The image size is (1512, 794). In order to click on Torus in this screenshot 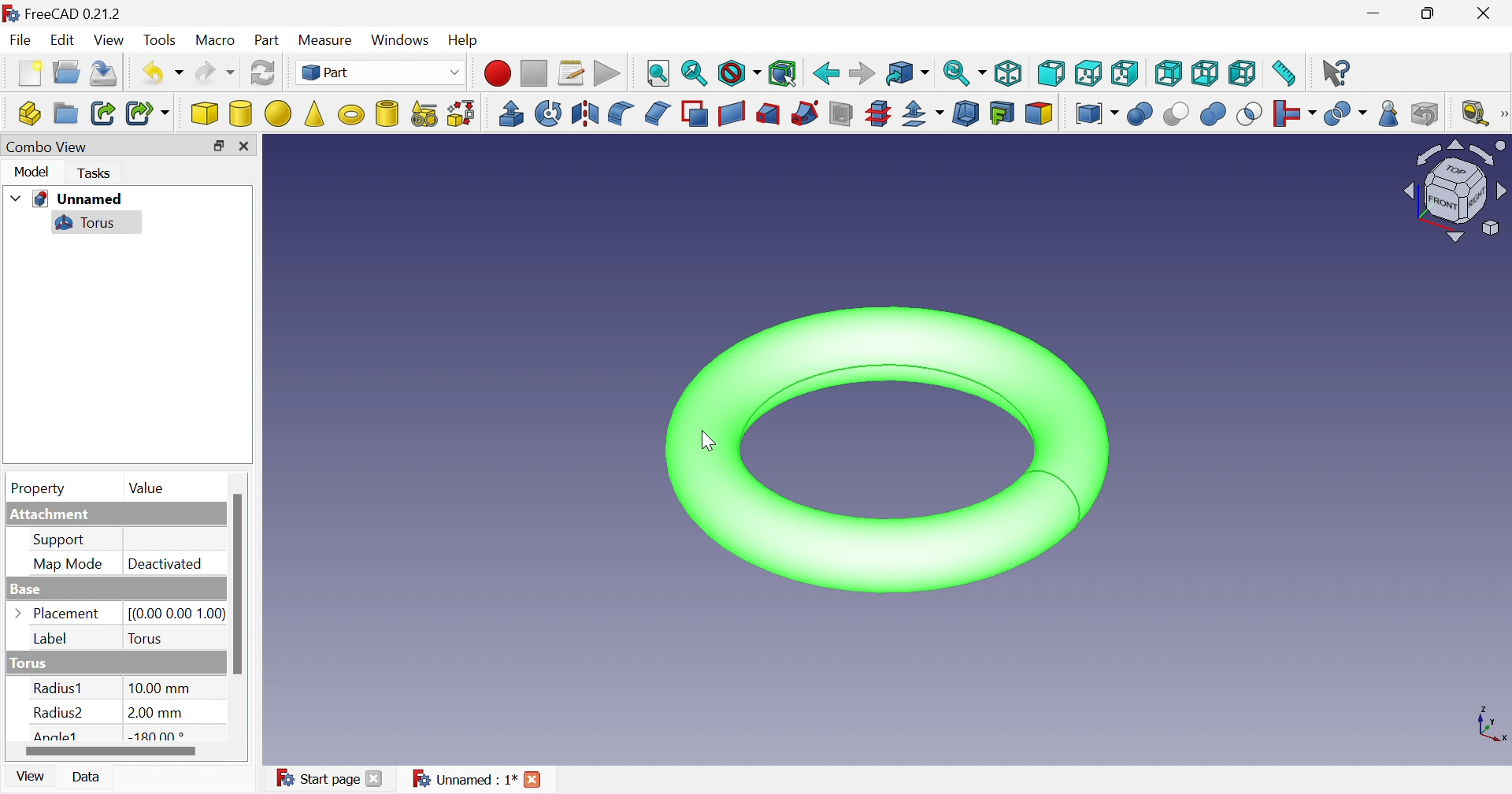, I will do `click(348, 115)`.